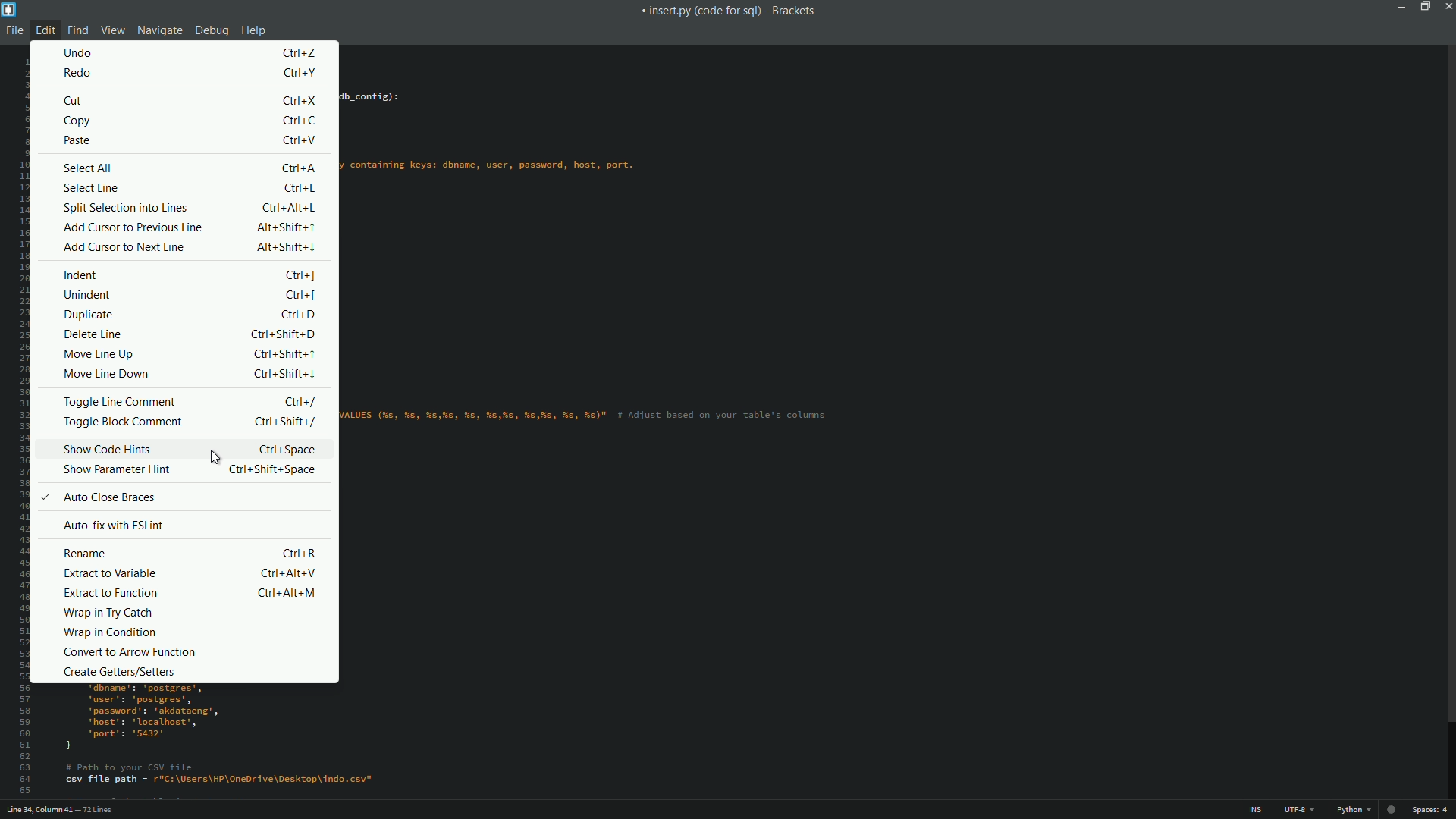 The image size is (1456, 819). I want to click on indent, so click(81, 276).